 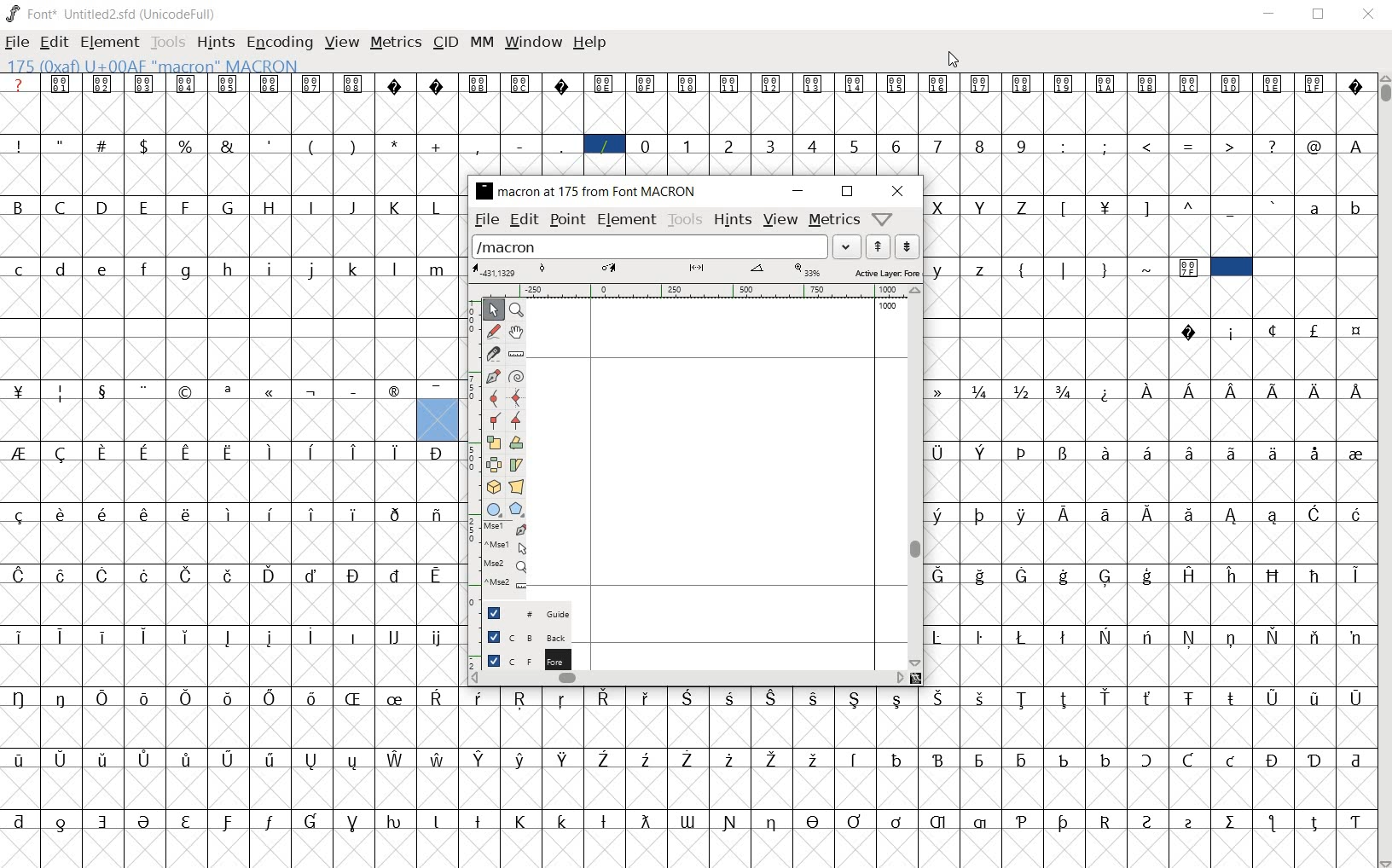 I want to click on Symbol, so click(x=981, y=574).